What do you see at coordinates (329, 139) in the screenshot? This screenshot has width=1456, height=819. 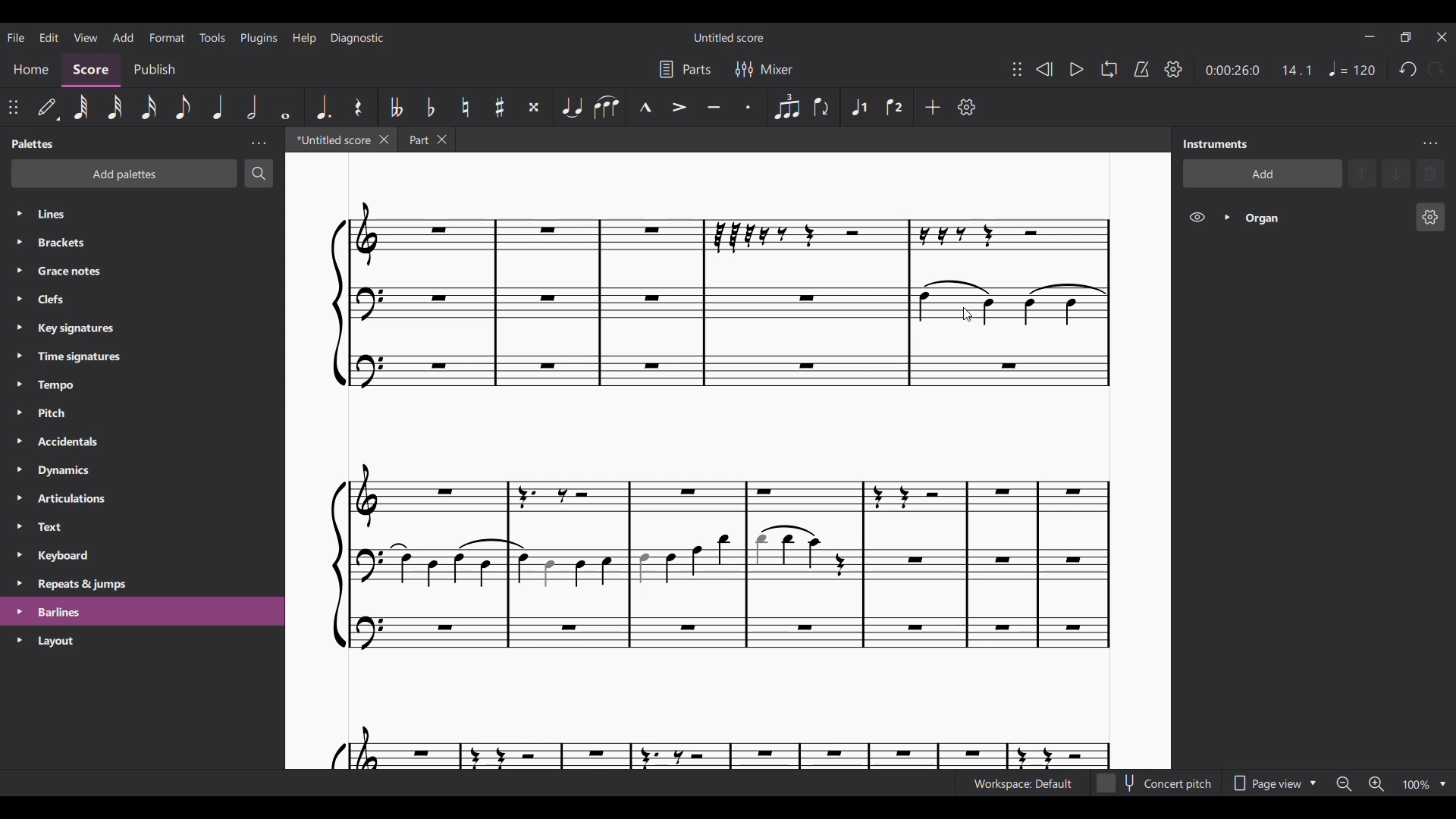 I see `Current tab, highlighted` at bounding box center [329, 139].